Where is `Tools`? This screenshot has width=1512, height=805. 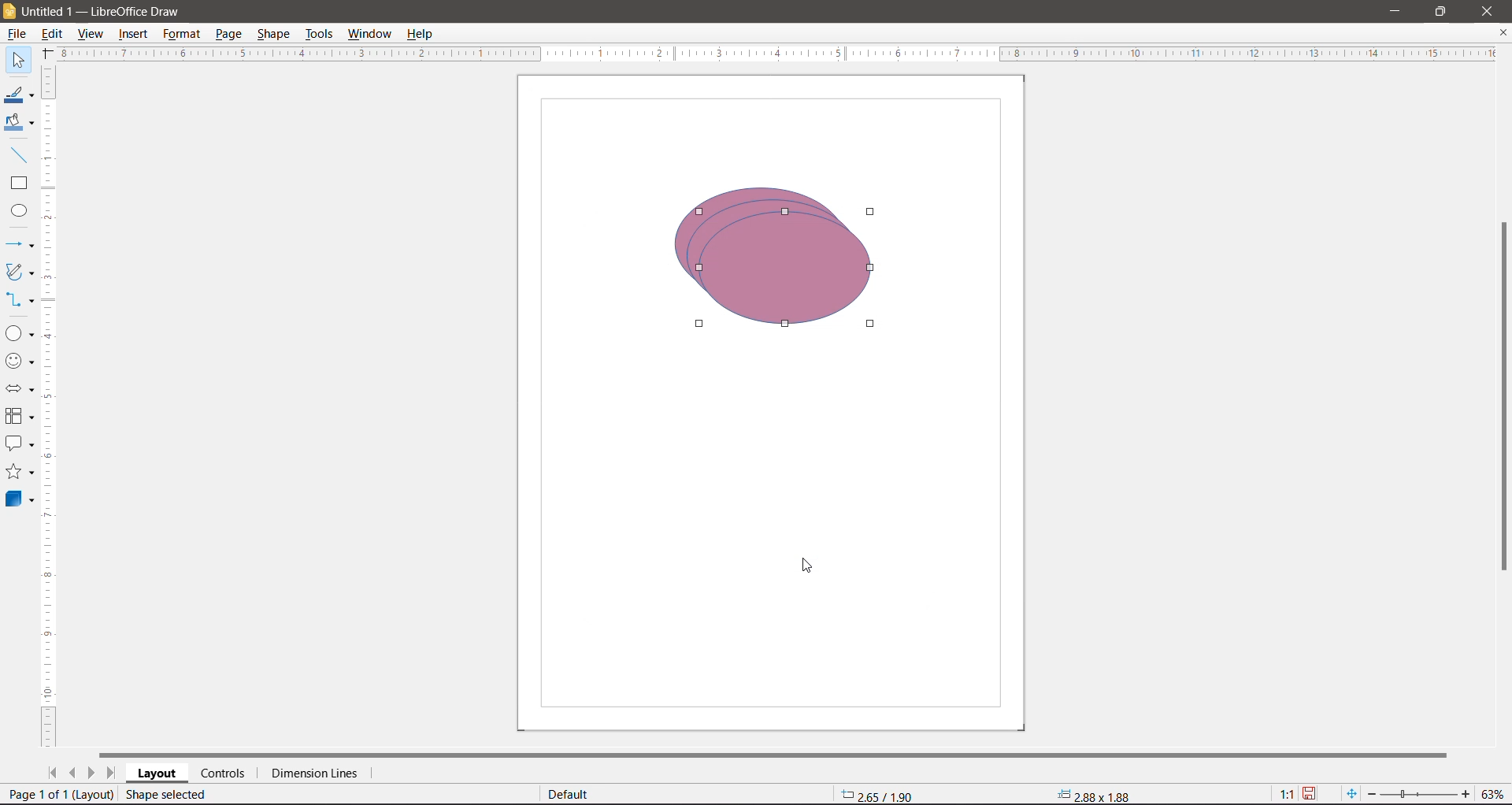 Tools is located at coordinates (319, 35).